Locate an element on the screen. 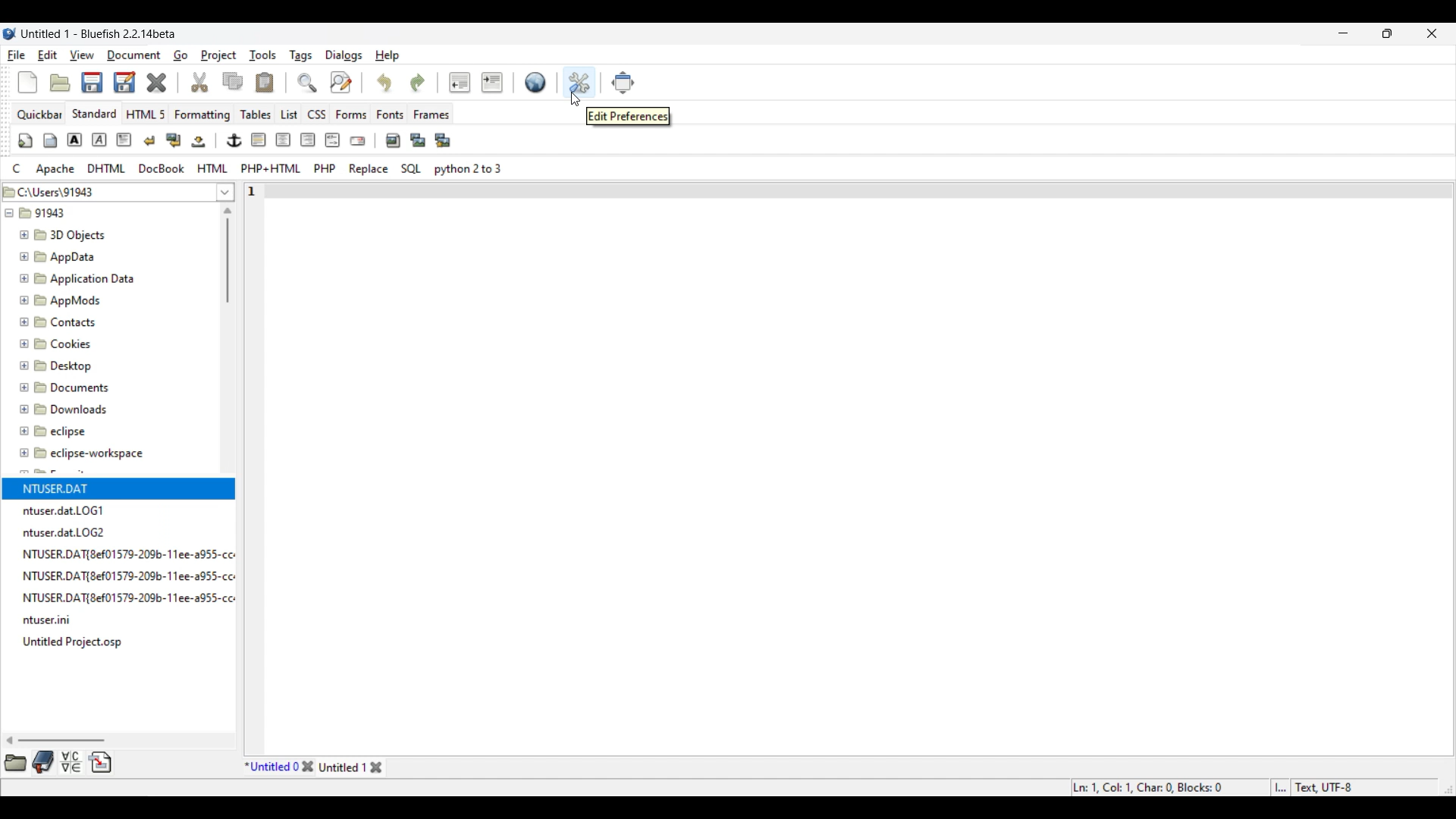 Image resolution: width=1456 pixels, height=819 pixels. Undo is located at coordinates (384, 82).